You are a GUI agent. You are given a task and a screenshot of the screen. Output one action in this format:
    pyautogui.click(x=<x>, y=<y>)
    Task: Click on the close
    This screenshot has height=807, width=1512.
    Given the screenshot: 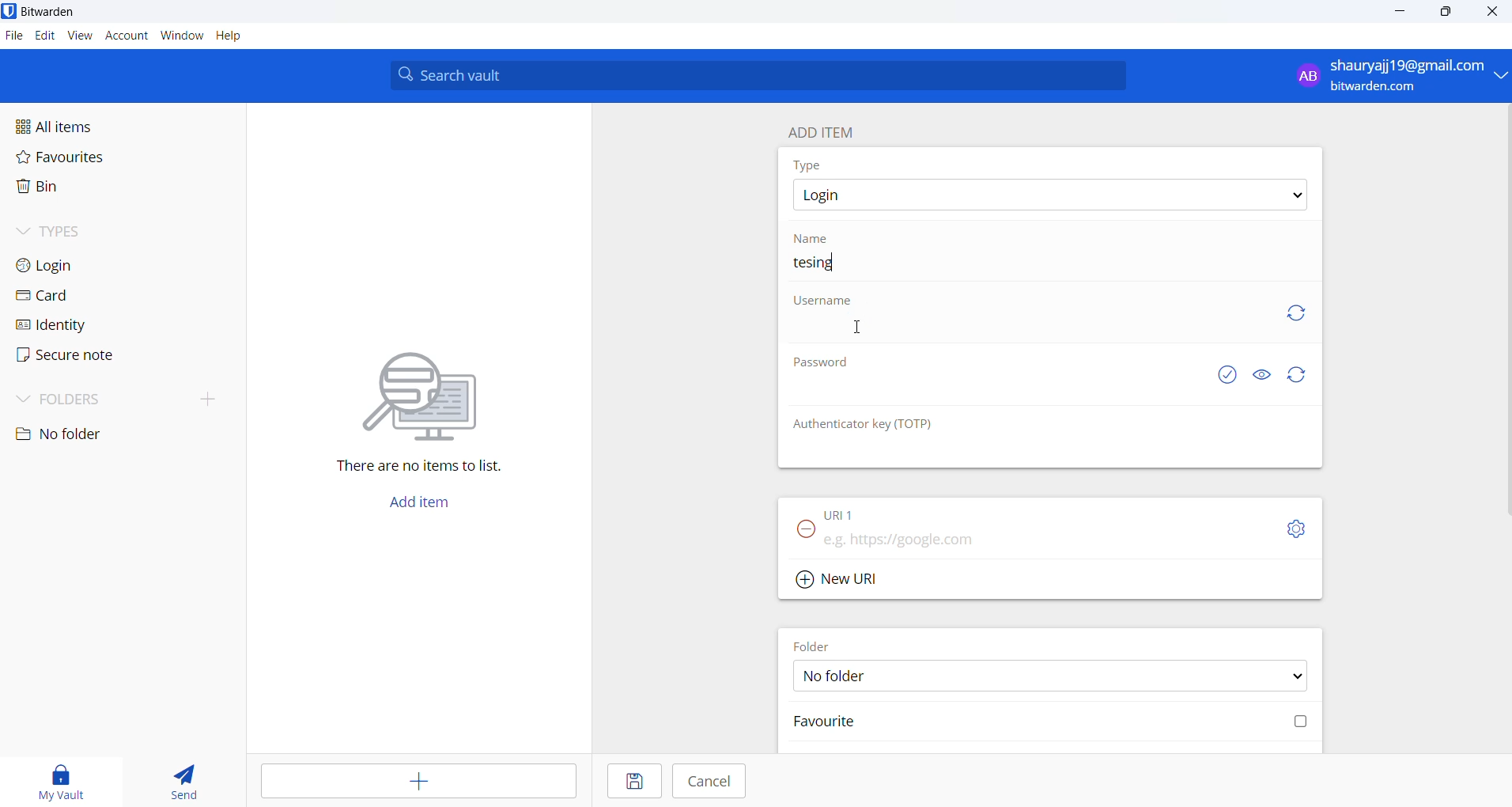 What is the action you would take?
    pyautogui.click(x=1493, y=13)
    